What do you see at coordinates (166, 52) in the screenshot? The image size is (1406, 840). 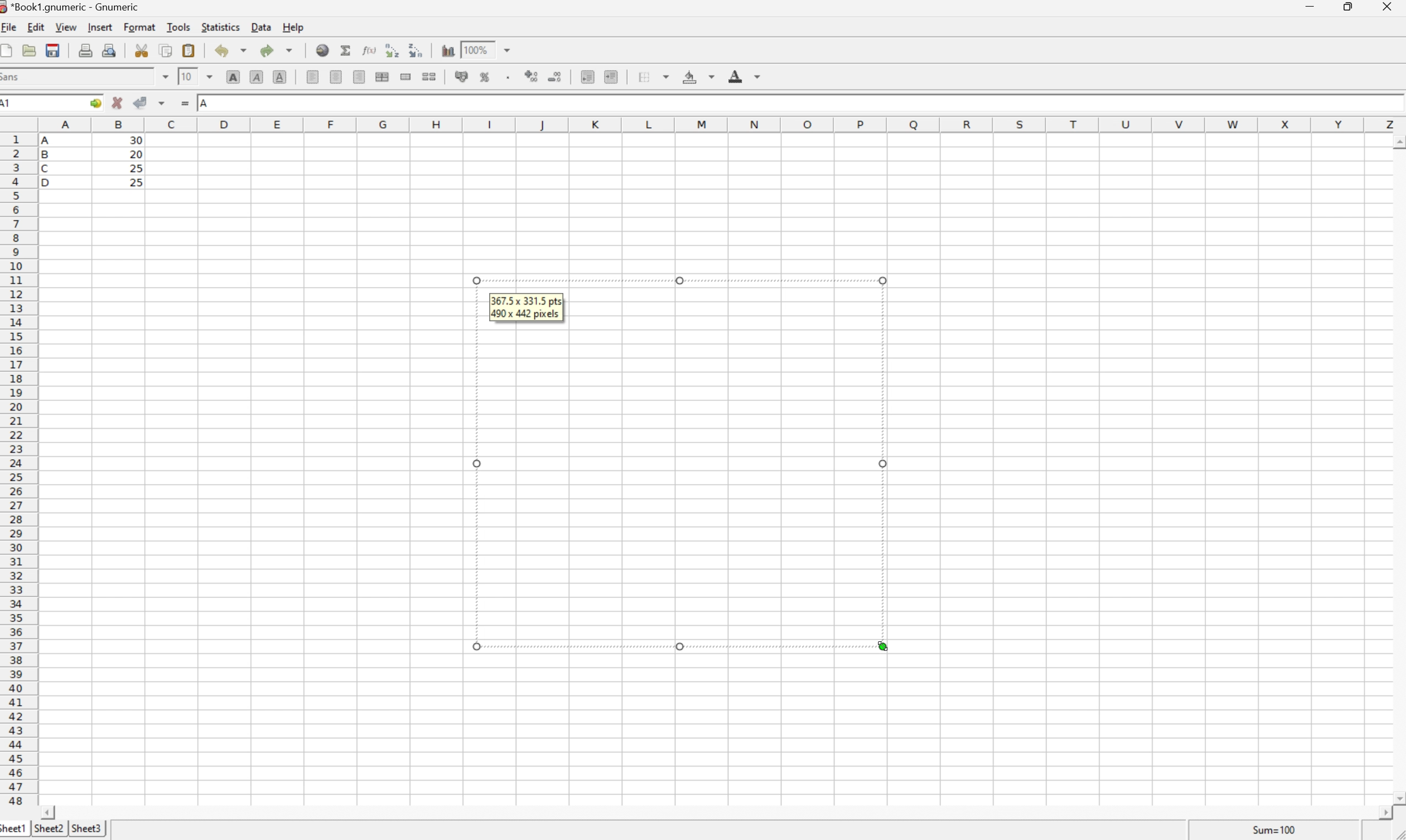 I see `Copy the selection` at bounding box center [166, 52].